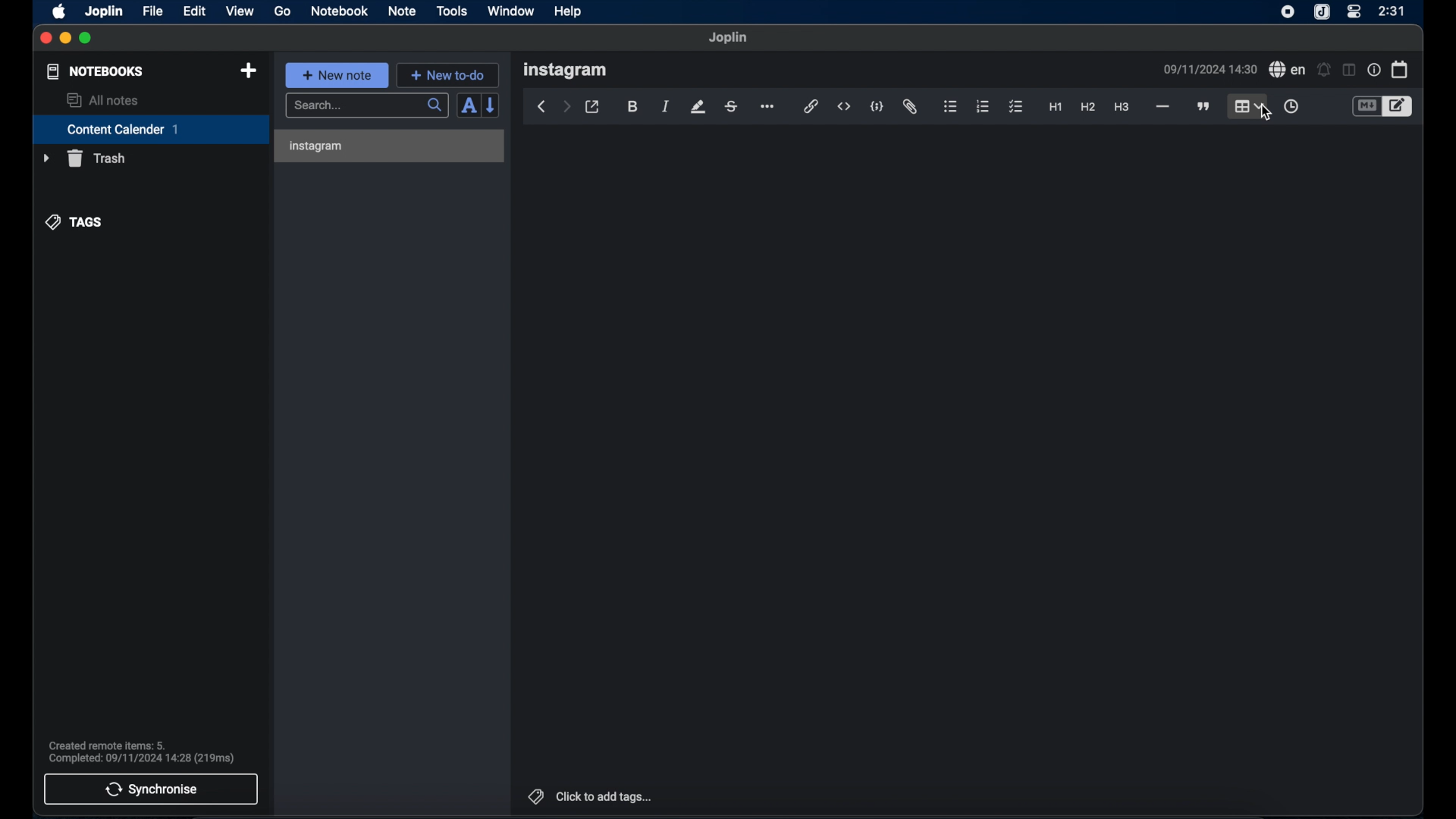  What do you see at coordinates (730, 108) in the screenshot?
I see `strikethrough` at bounding box center [730, 108].